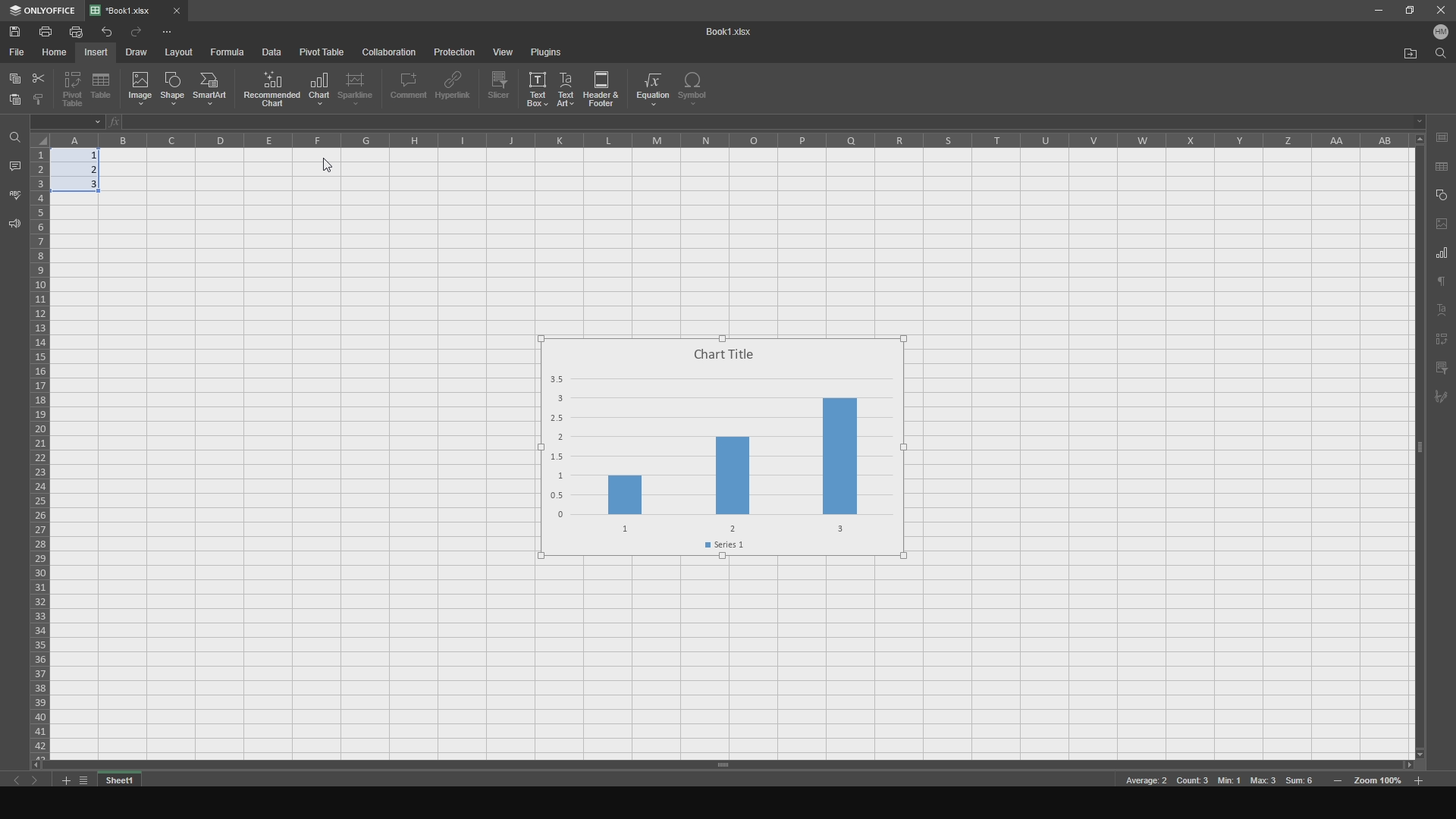  Describe the element at coordinates (42, 11) in the screenshot. I see `onlyoffice` at that location.